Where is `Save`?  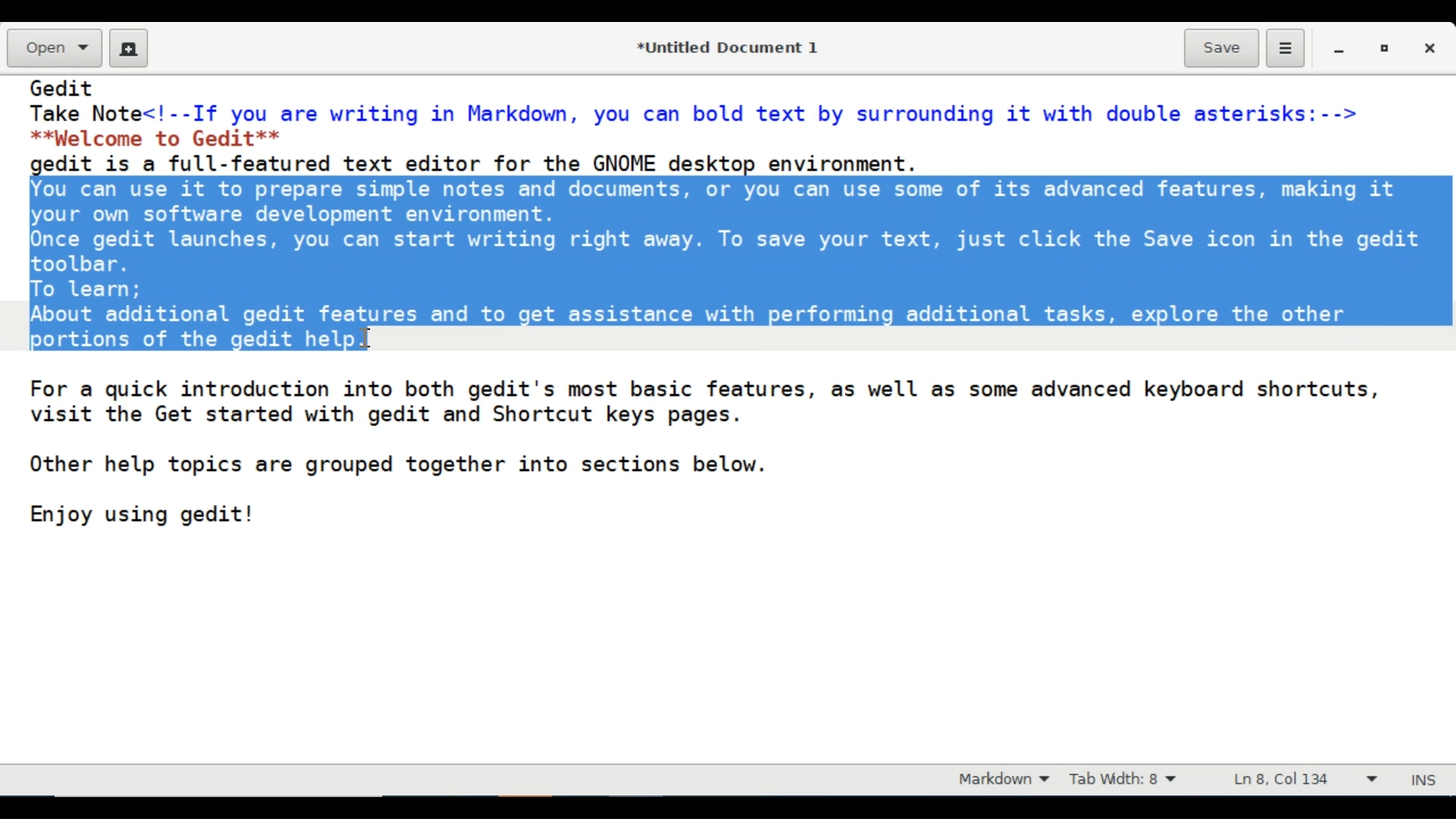 Save is located at coordinates (1222, 47).